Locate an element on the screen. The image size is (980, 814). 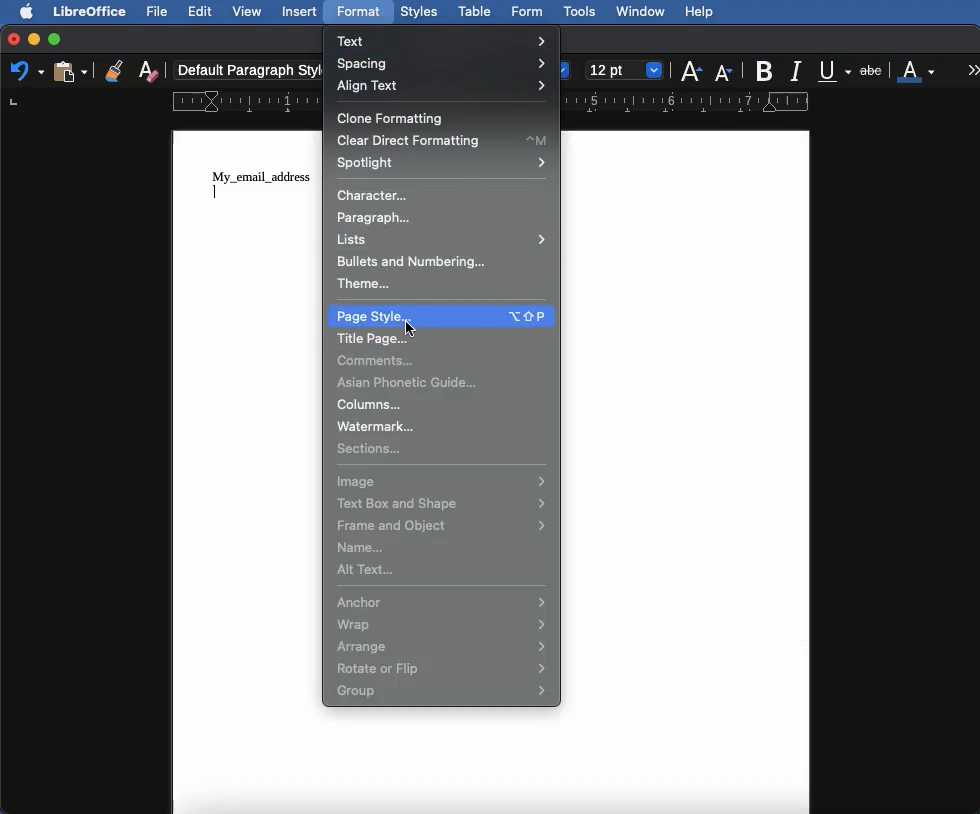
Text is located at coordinates (445, 39).